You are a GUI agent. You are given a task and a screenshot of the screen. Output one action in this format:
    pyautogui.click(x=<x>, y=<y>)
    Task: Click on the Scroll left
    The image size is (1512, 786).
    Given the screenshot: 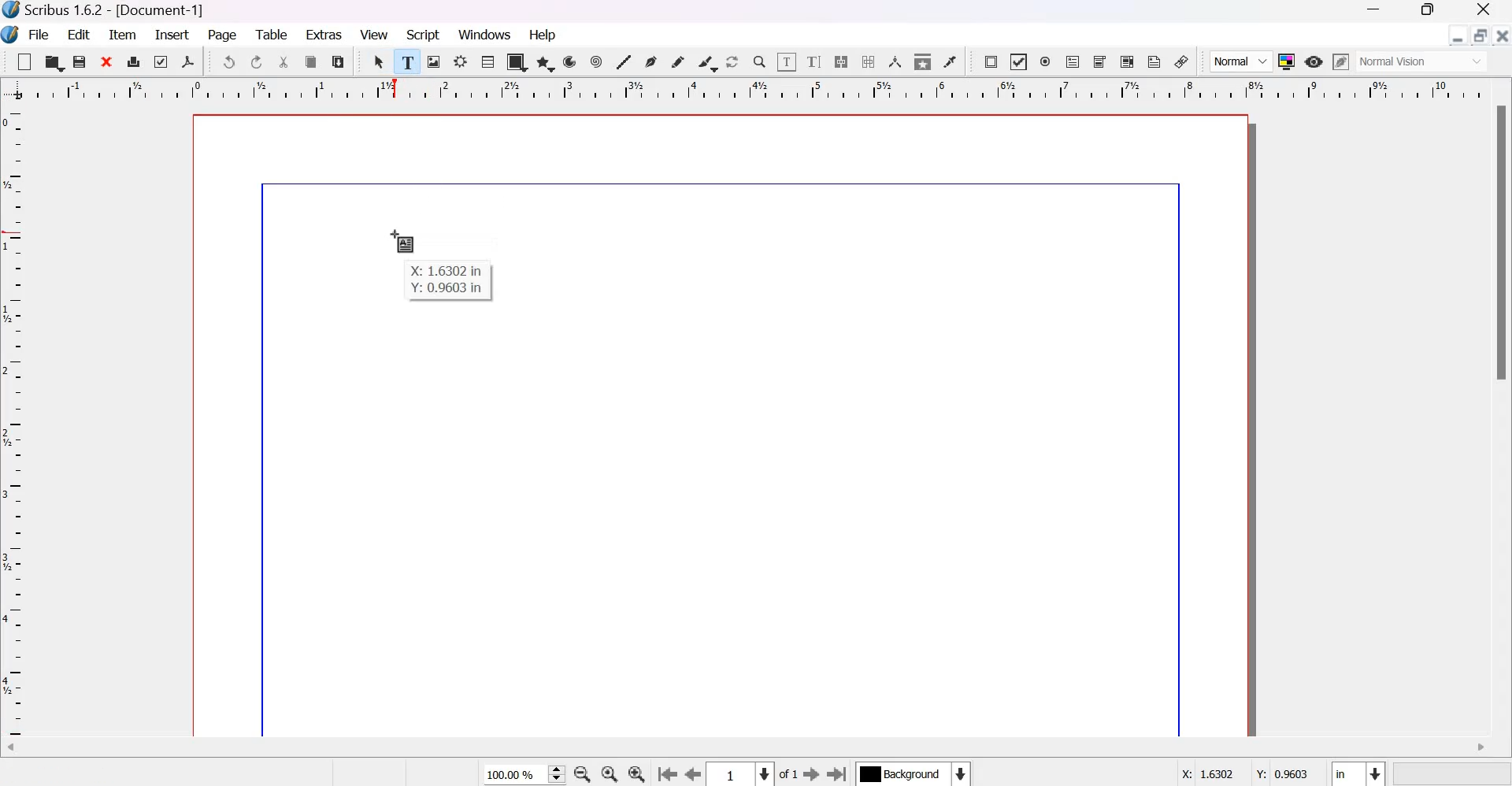 What is the action you would take?
    pyautogui.click(x=24, y=750)
    